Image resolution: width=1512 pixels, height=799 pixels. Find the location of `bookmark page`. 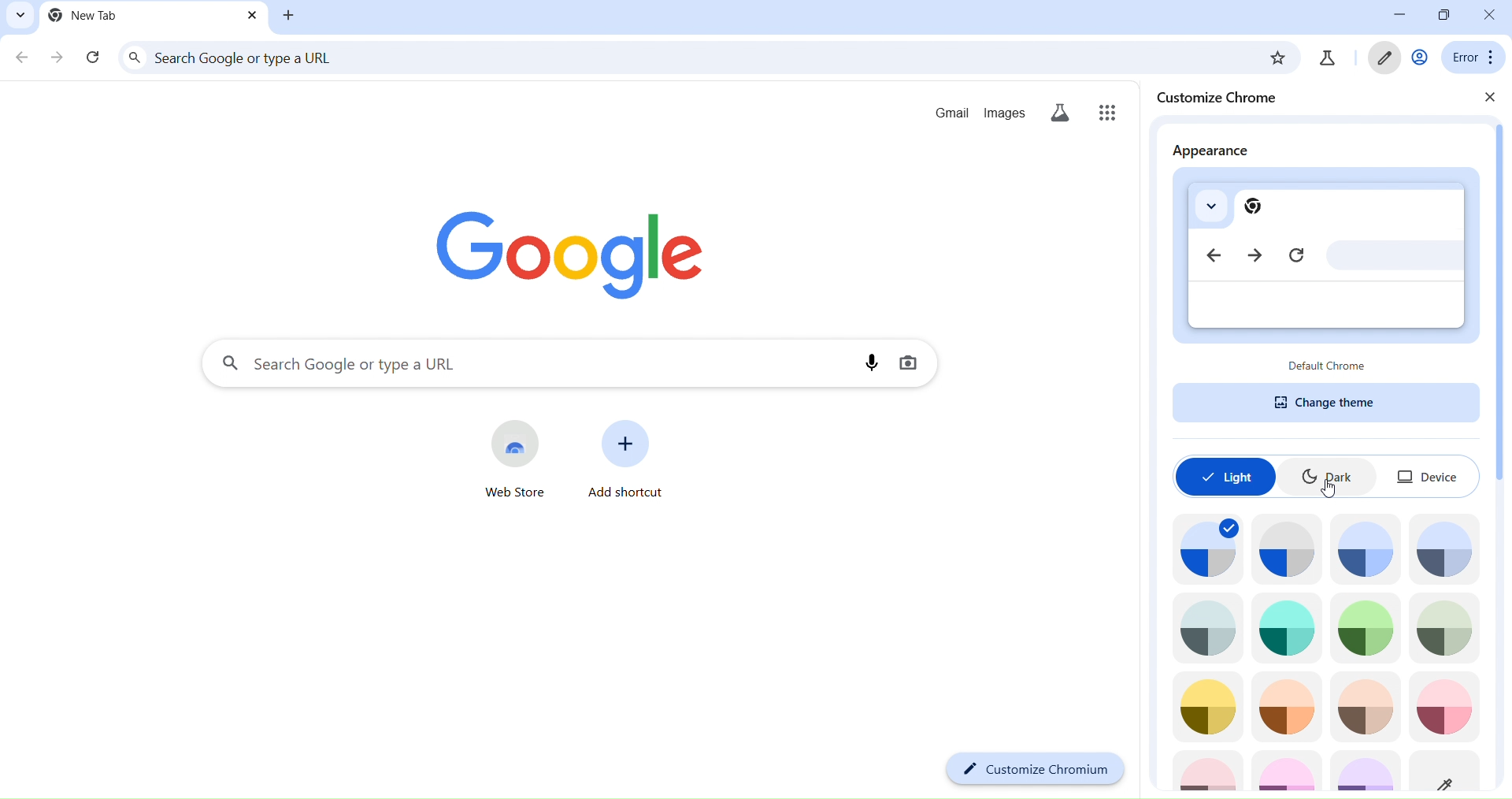

bookmark page is located at coordinates (1286, 59).